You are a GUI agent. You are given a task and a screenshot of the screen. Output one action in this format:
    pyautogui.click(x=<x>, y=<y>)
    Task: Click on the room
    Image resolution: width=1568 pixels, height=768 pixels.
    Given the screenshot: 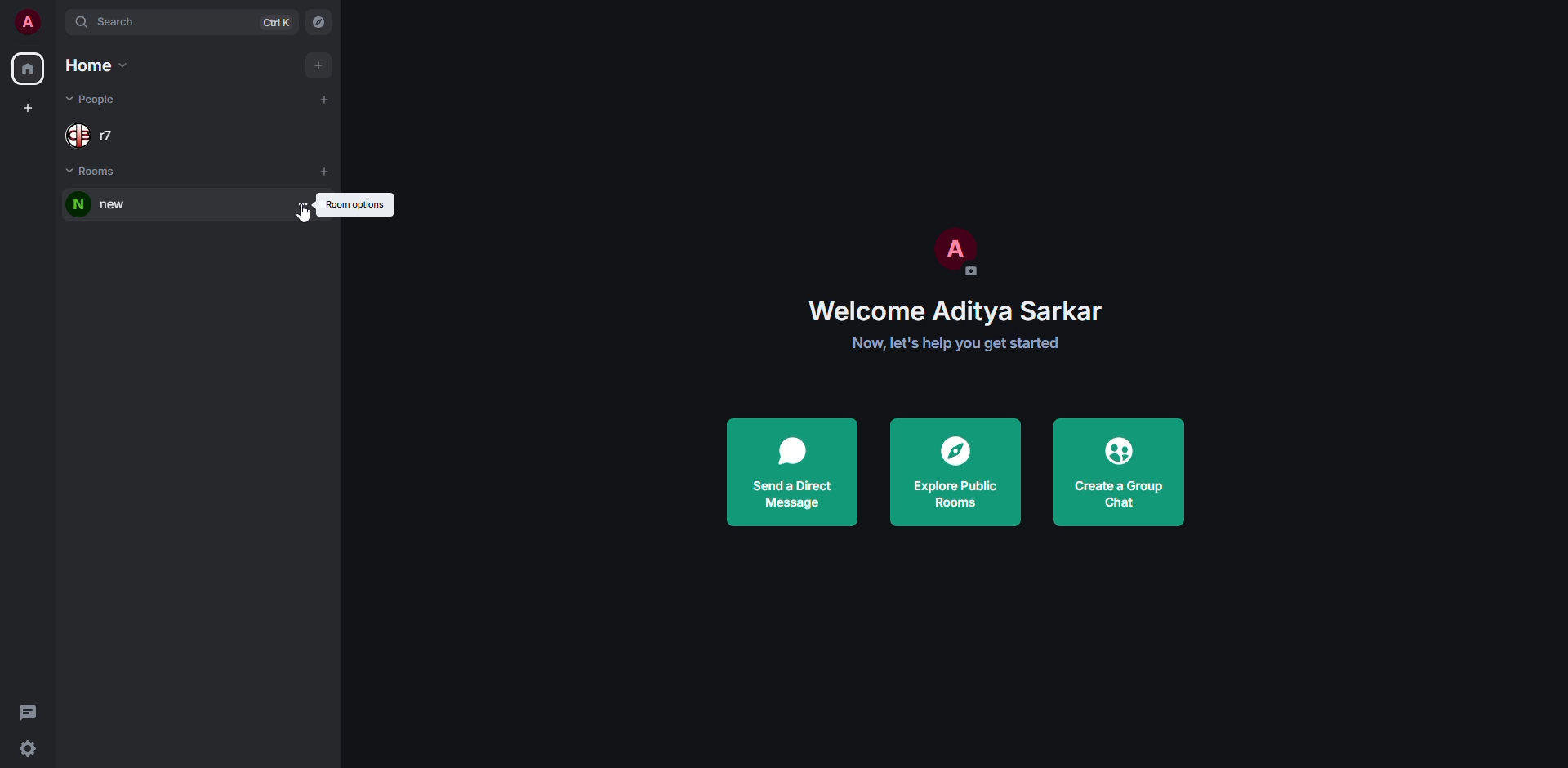 What is the action you would take?
    pyautogui.click(x=106, y=205)
    